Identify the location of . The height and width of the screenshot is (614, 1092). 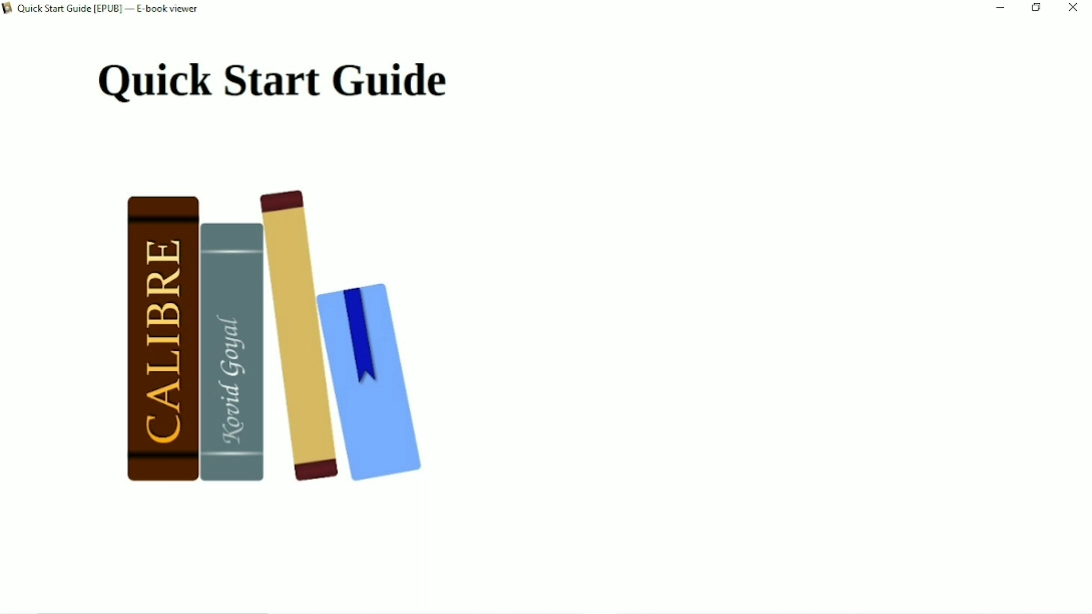
(1073, 8).